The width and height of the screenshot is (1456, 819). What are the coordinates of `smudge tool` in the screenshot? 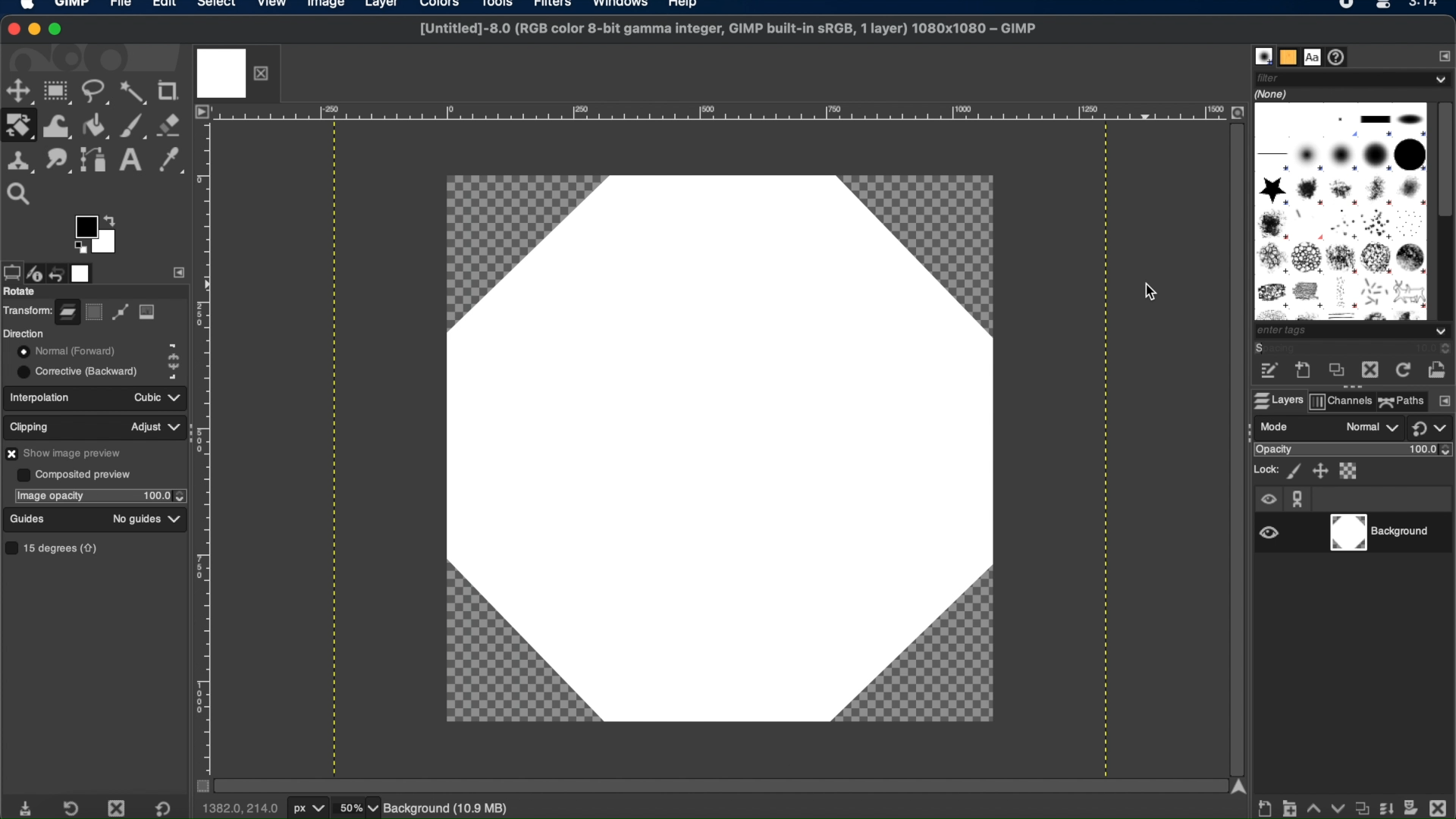 It's located at (58, 159).